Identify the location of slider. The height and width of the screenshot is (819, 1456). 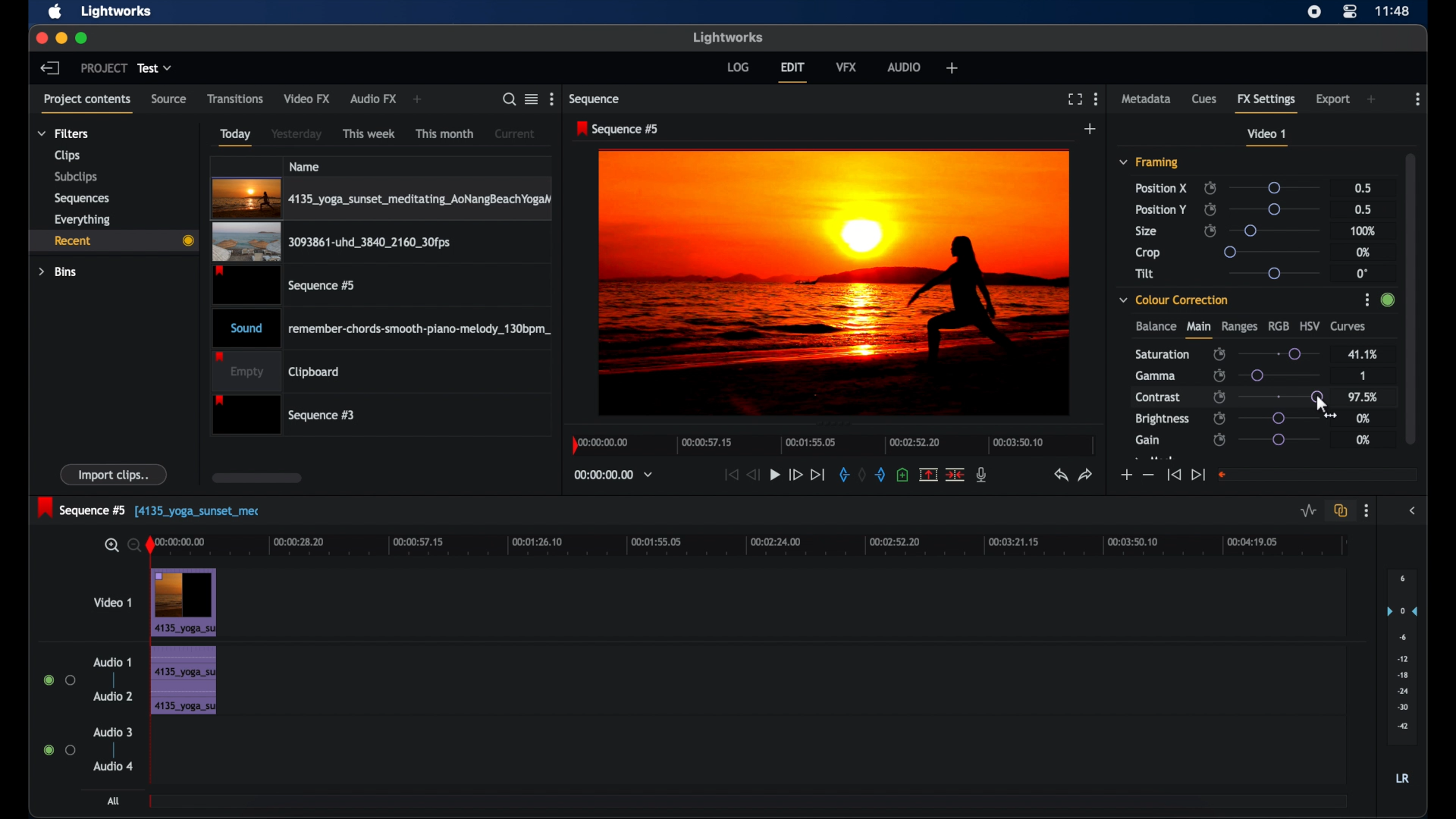
(1274, 273).